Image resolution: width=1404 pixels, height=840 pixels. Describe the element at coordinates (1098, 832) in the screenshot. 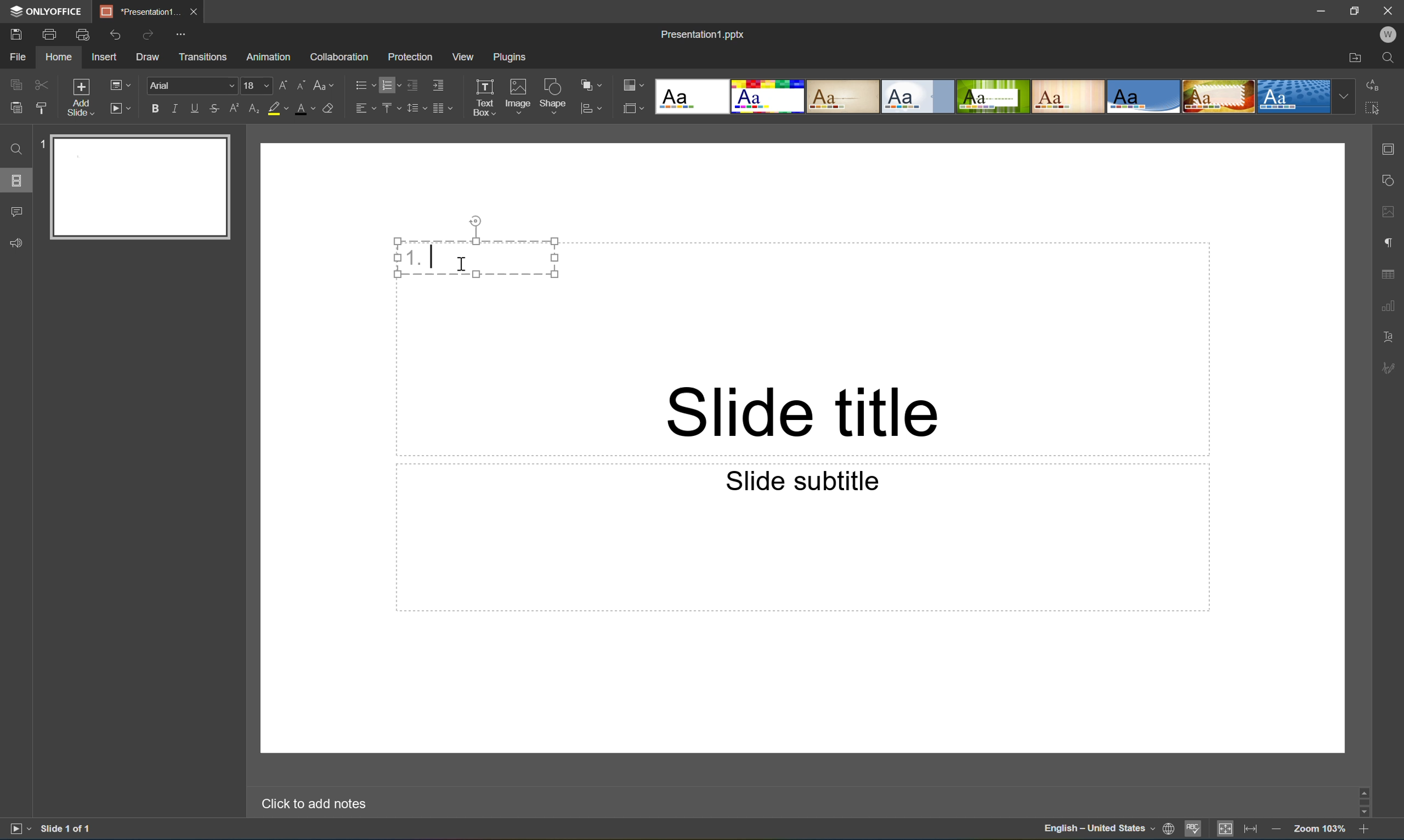

I see `English - United States` at that location.